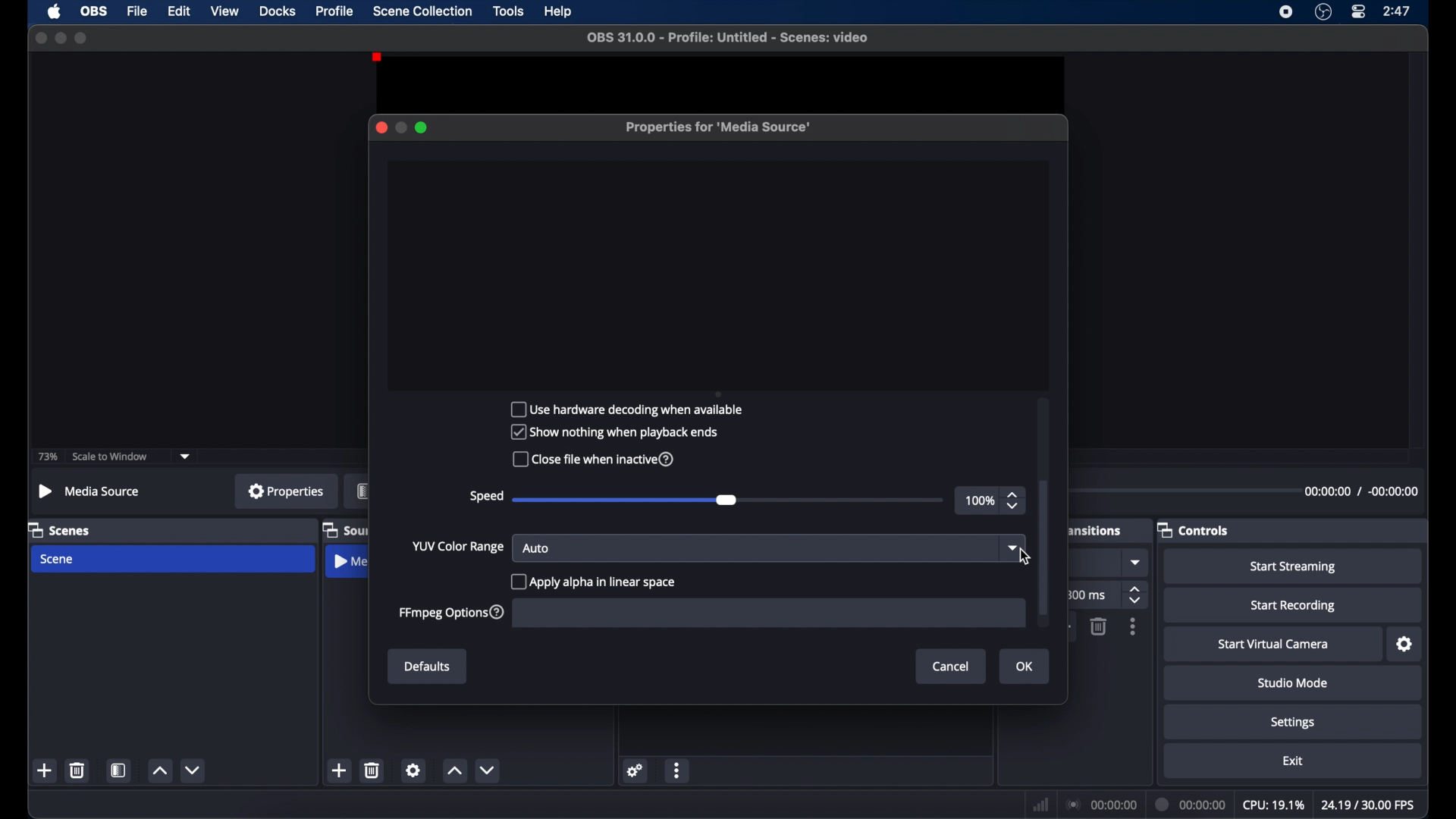  I want to click on scene, so click(58, 559).